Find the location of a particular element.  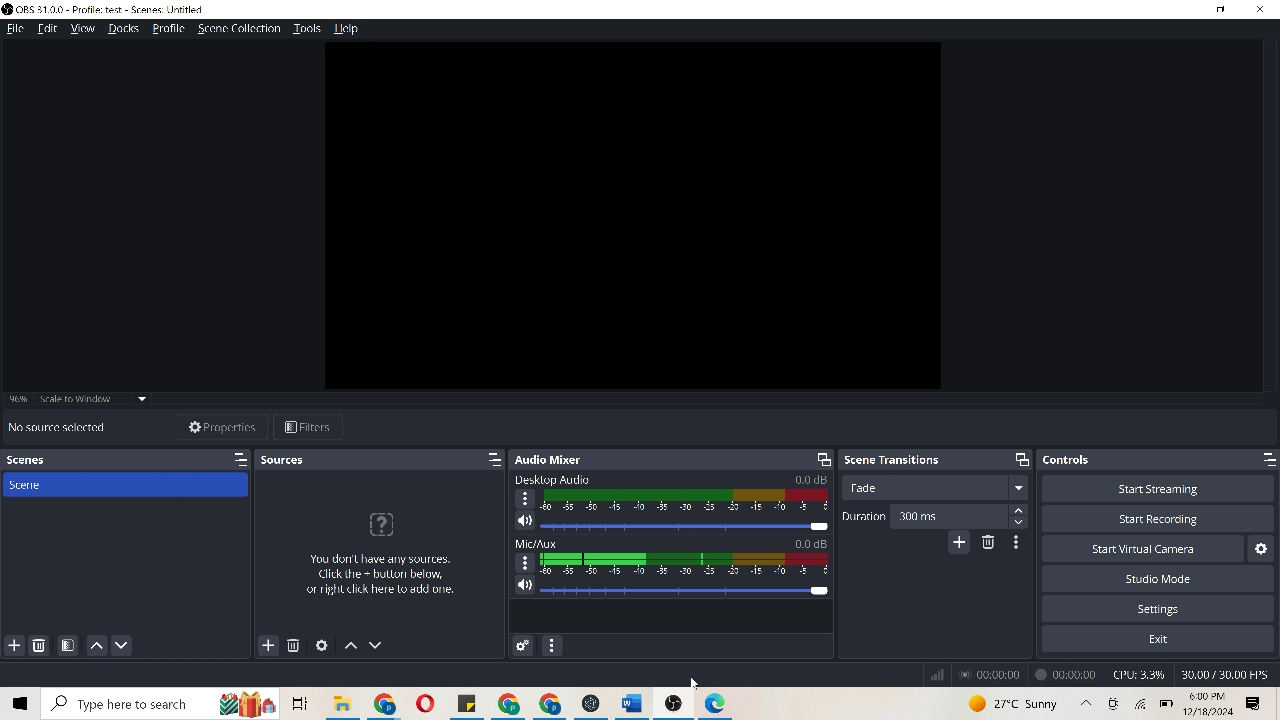

You dont have any sources. Click the+button below, or right click here to add one is located at coordinates (377, 589).